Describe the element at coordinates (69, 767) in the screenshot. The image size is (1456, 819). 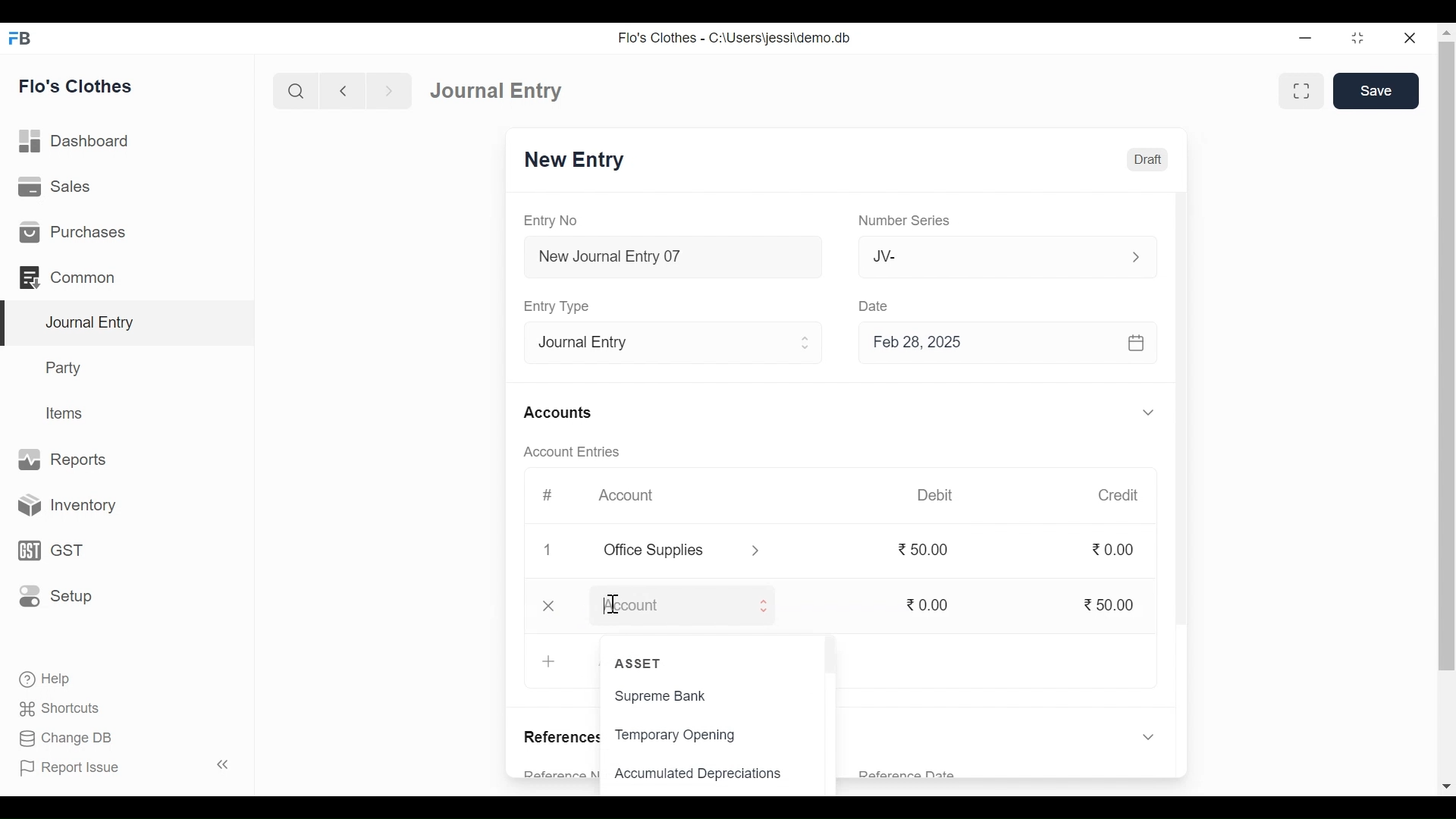
I see `Report Issue` at that location.